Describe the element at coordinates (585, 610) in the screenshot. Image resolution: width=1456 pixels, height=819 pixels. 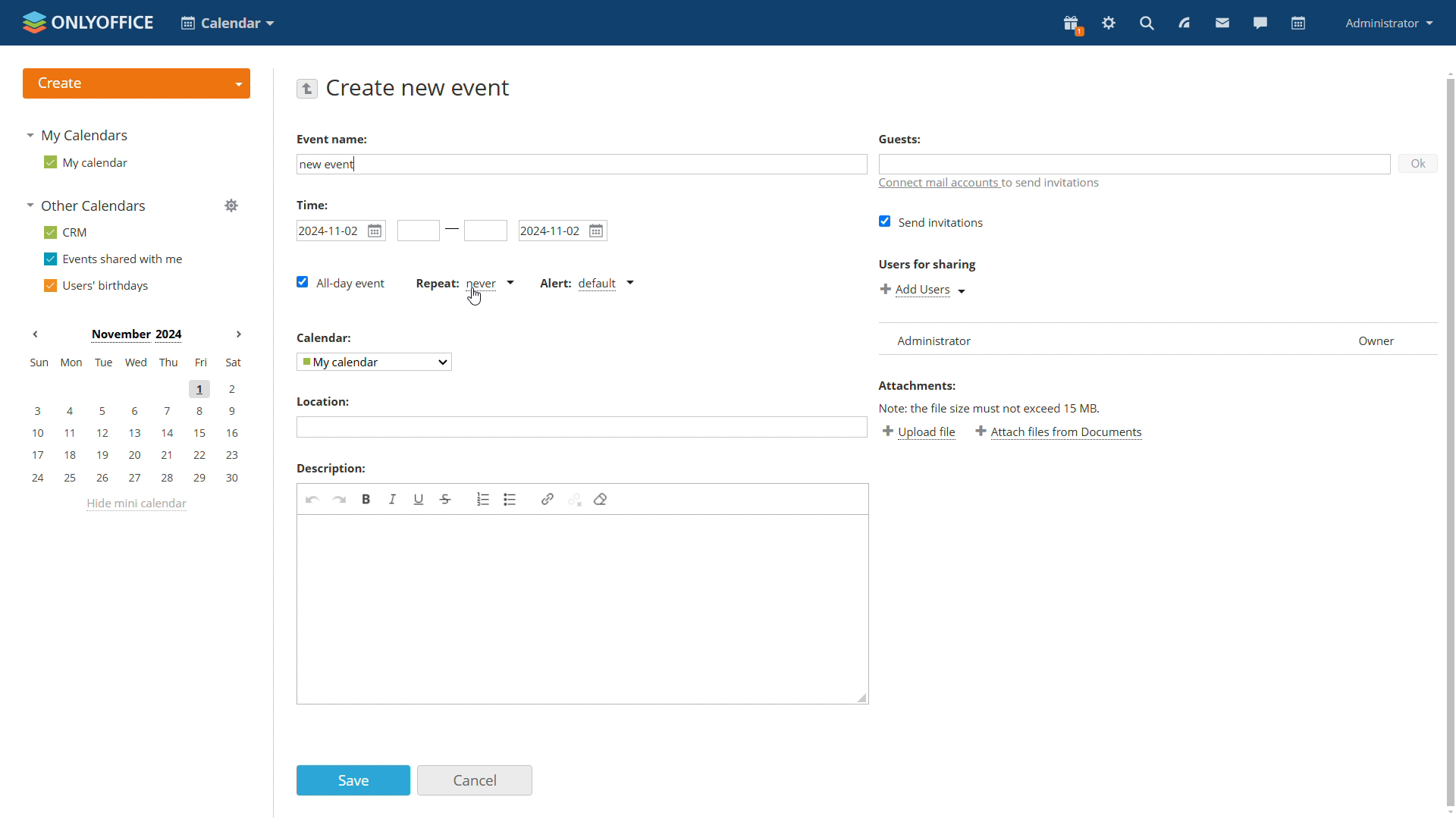
I see `edit description` at that location.